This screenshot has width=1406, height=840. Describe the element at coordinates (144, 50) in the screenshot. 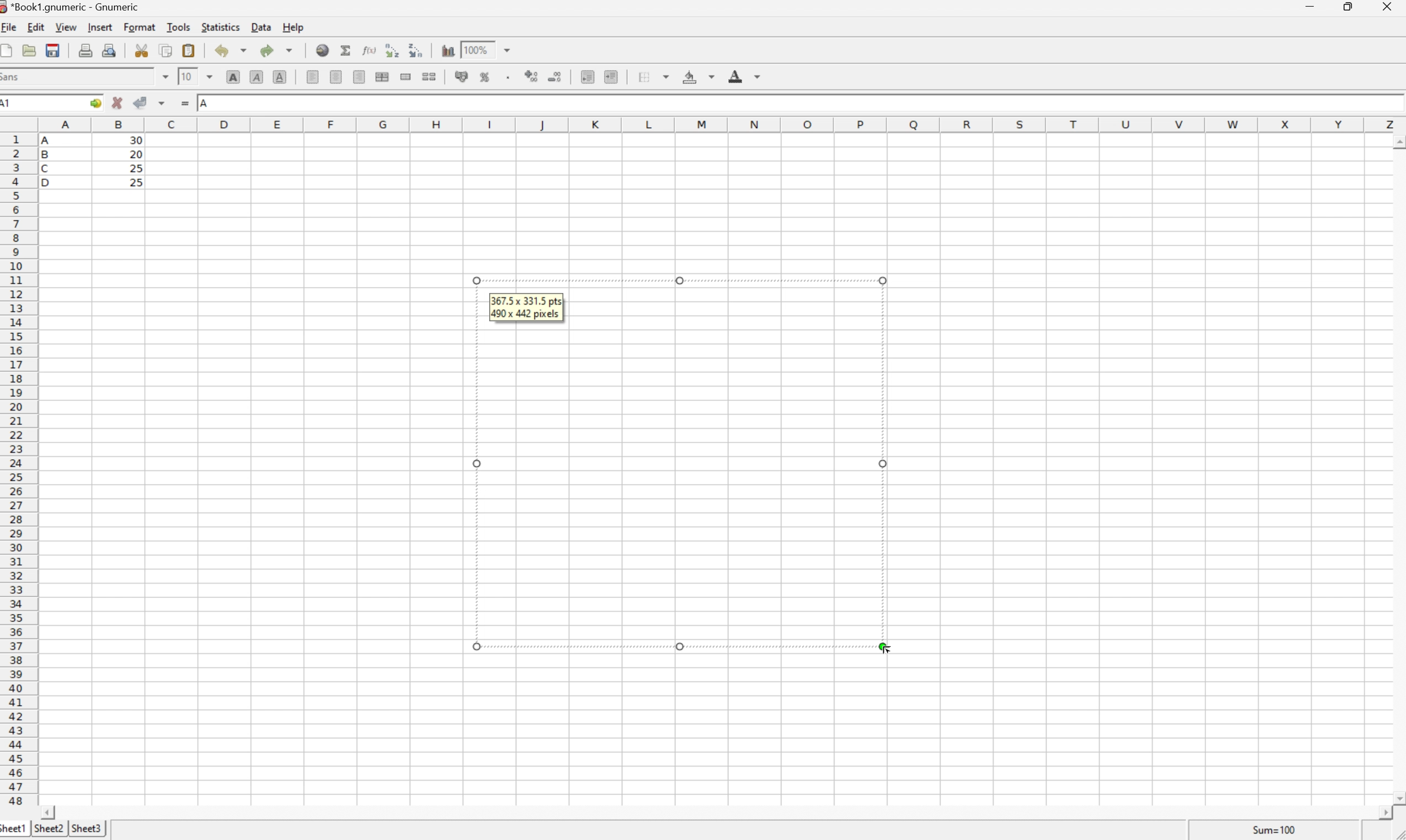

I see `Cut the selection` at that location.